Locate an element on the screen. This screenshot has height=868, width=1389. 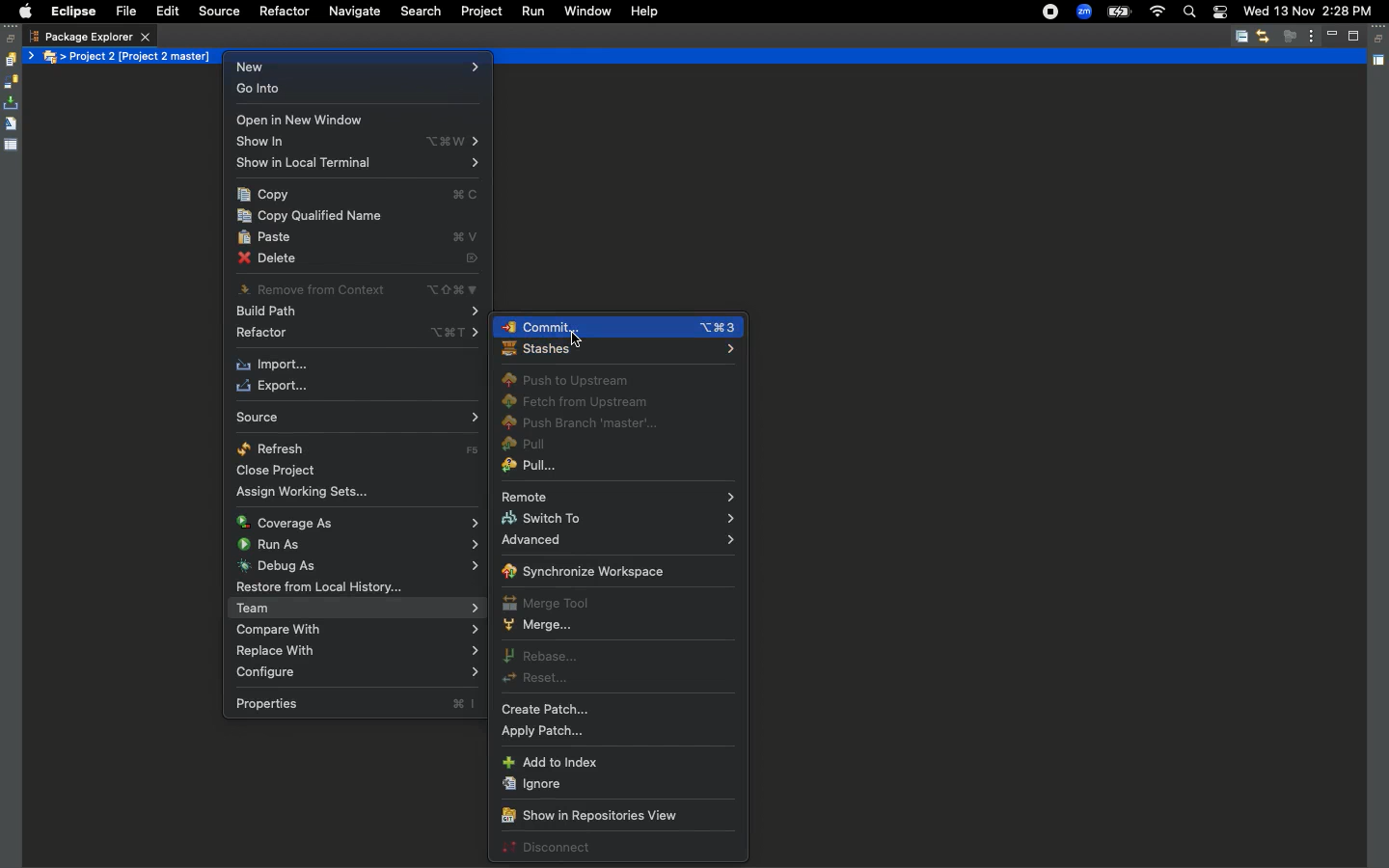
Refactor is located at coordinates (363, 334).